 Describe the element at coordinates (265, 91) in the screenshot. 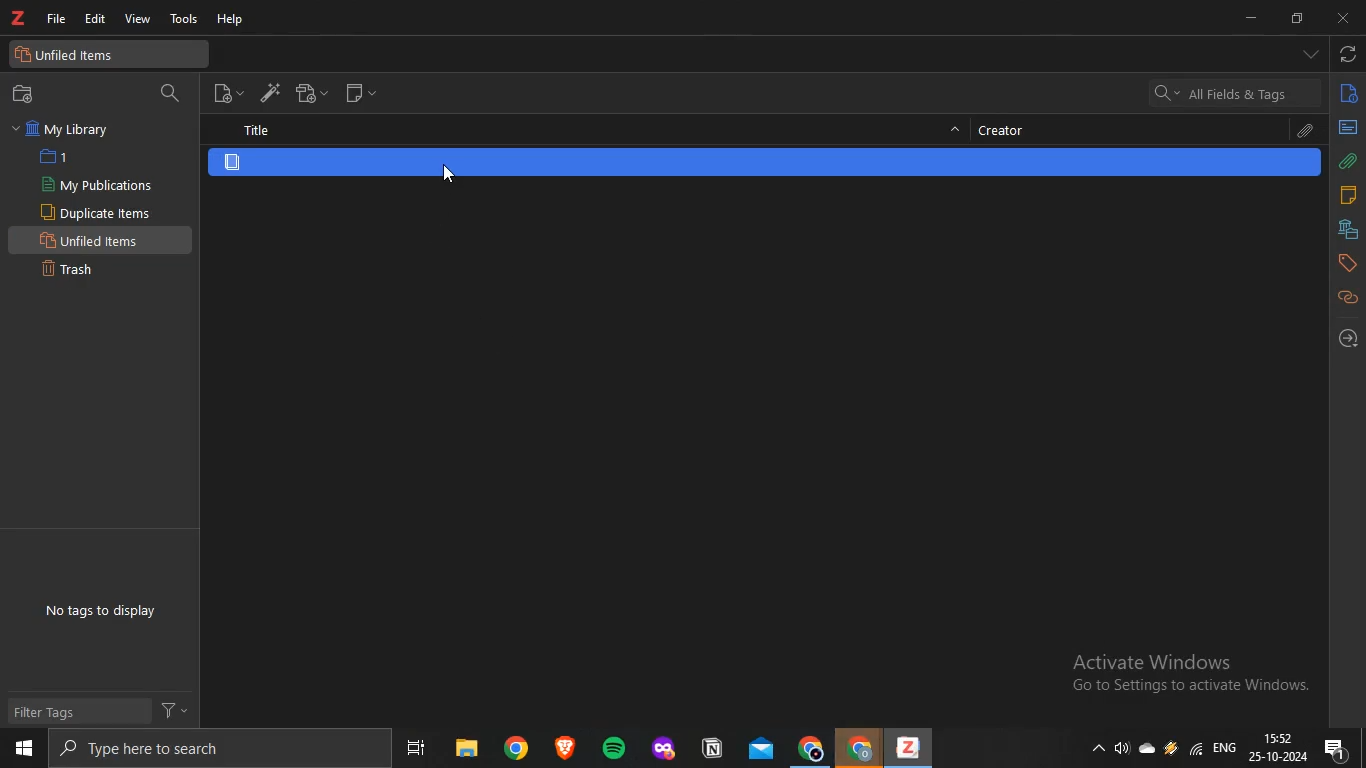

I see `add item by identifier` at that location.